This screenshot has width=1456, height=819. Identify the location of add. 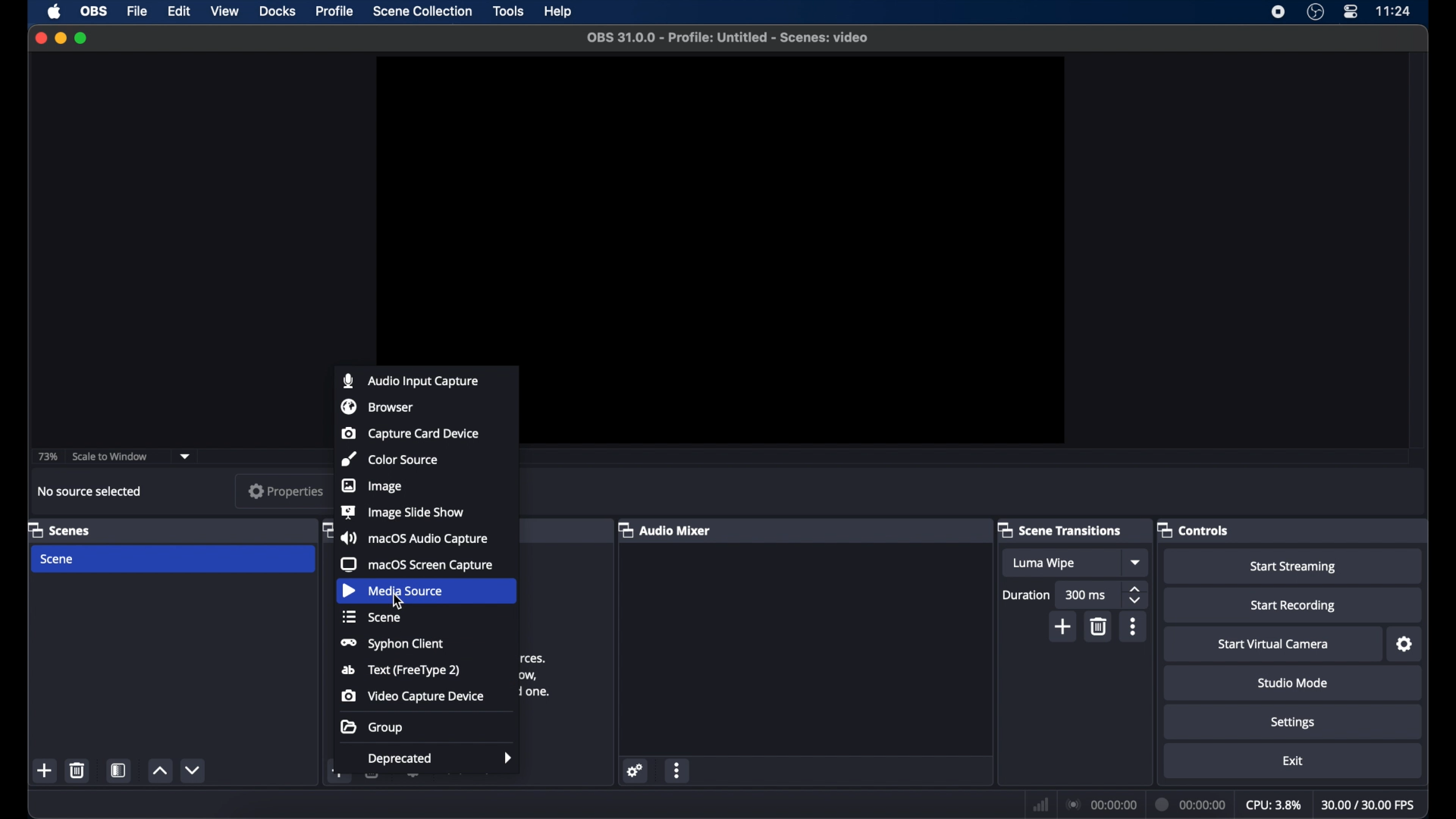
(1064, 626).